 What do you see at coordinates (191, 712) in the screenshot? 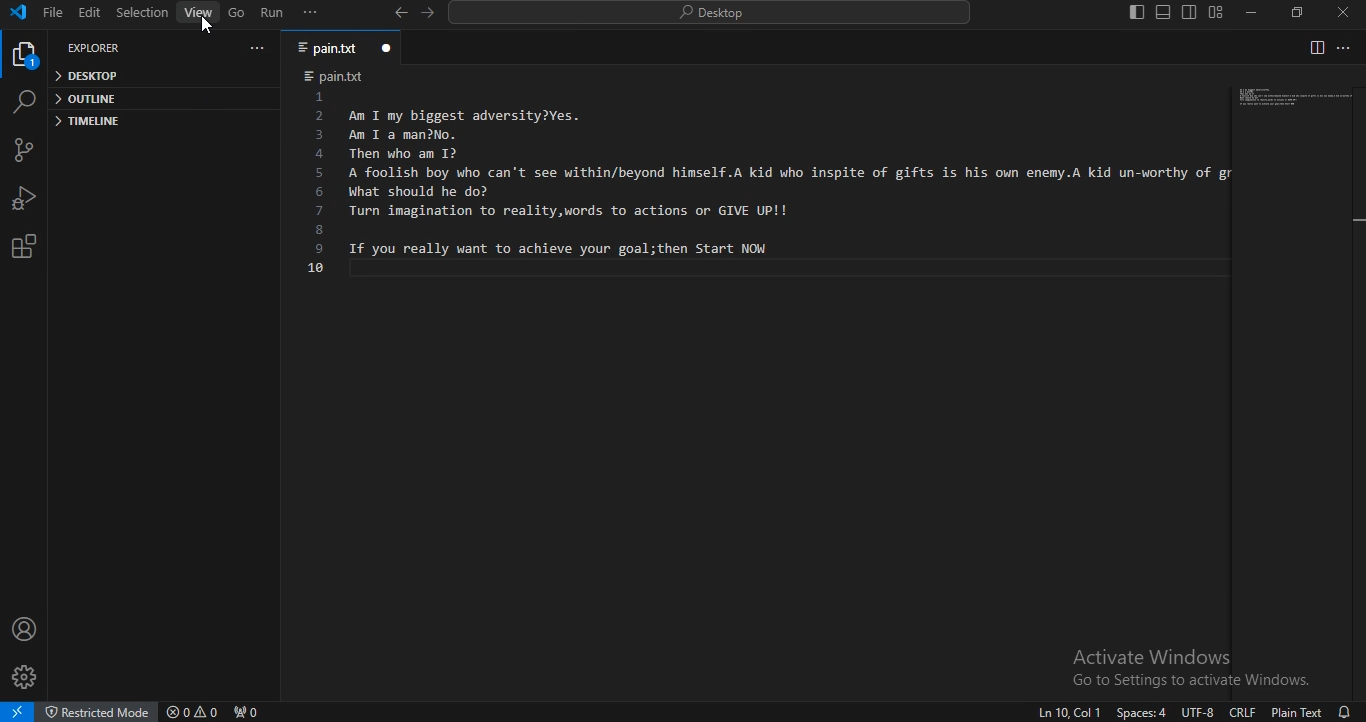
I see `no problems` at bounding box center [191, 712].